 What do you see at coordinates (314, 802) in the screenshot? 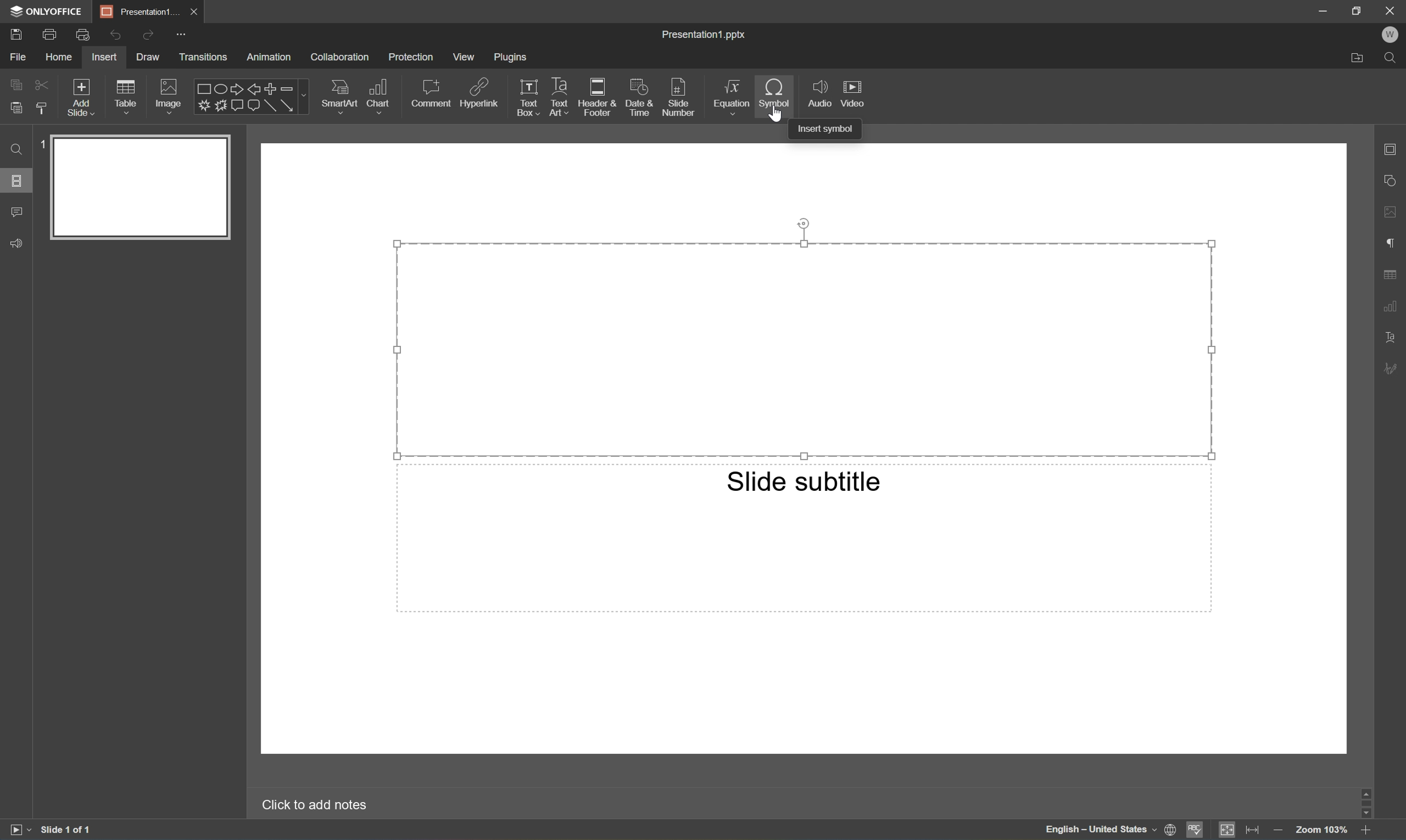
I see `Click to add notes` at bounding box center [314, 802].